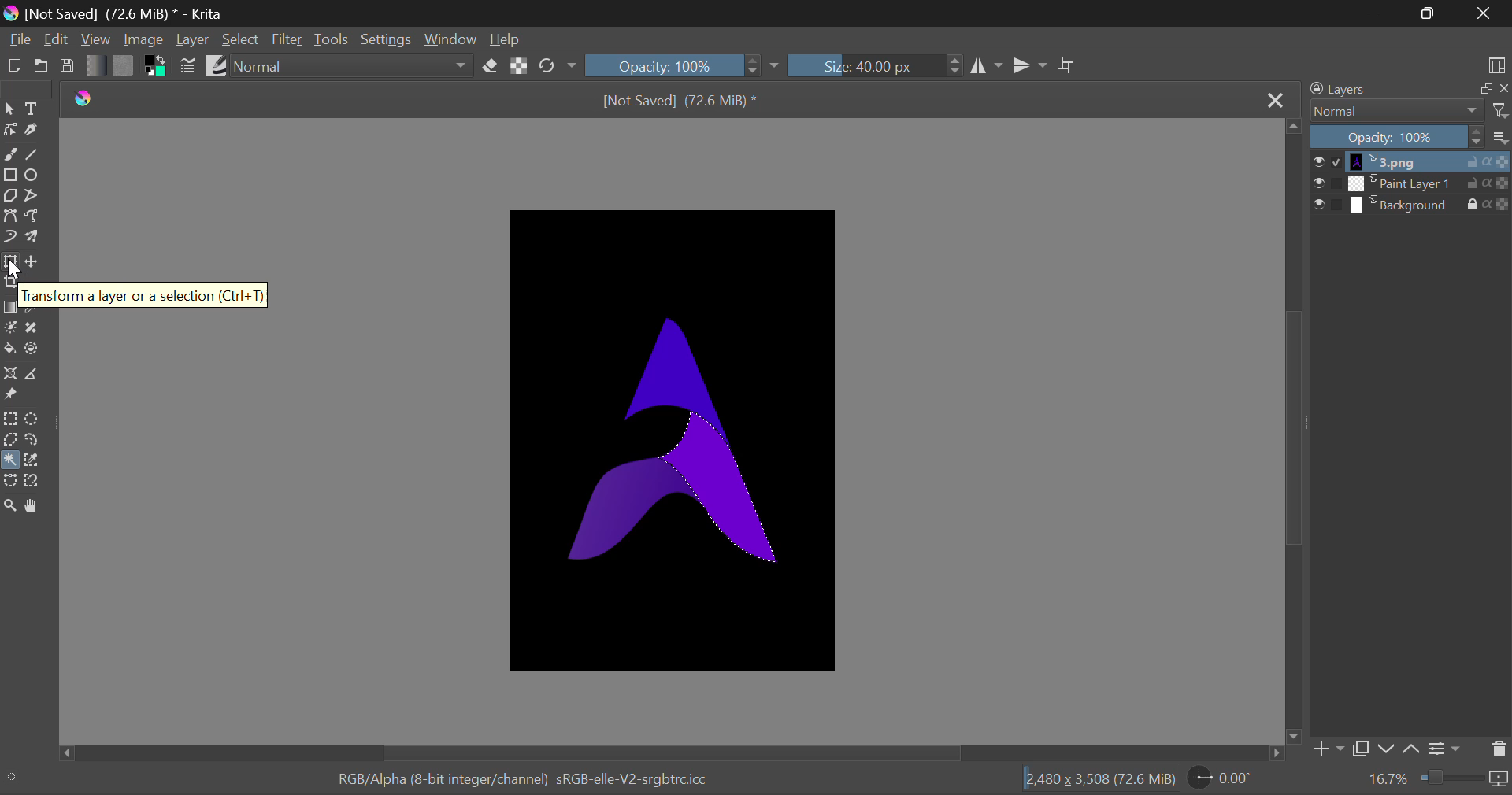 The width and height of the screenshot is (1512, 795). What do you see at coordinates (1430, 13) in the screenshot?
I see `Minimize` at bounding box center [1430, 13].